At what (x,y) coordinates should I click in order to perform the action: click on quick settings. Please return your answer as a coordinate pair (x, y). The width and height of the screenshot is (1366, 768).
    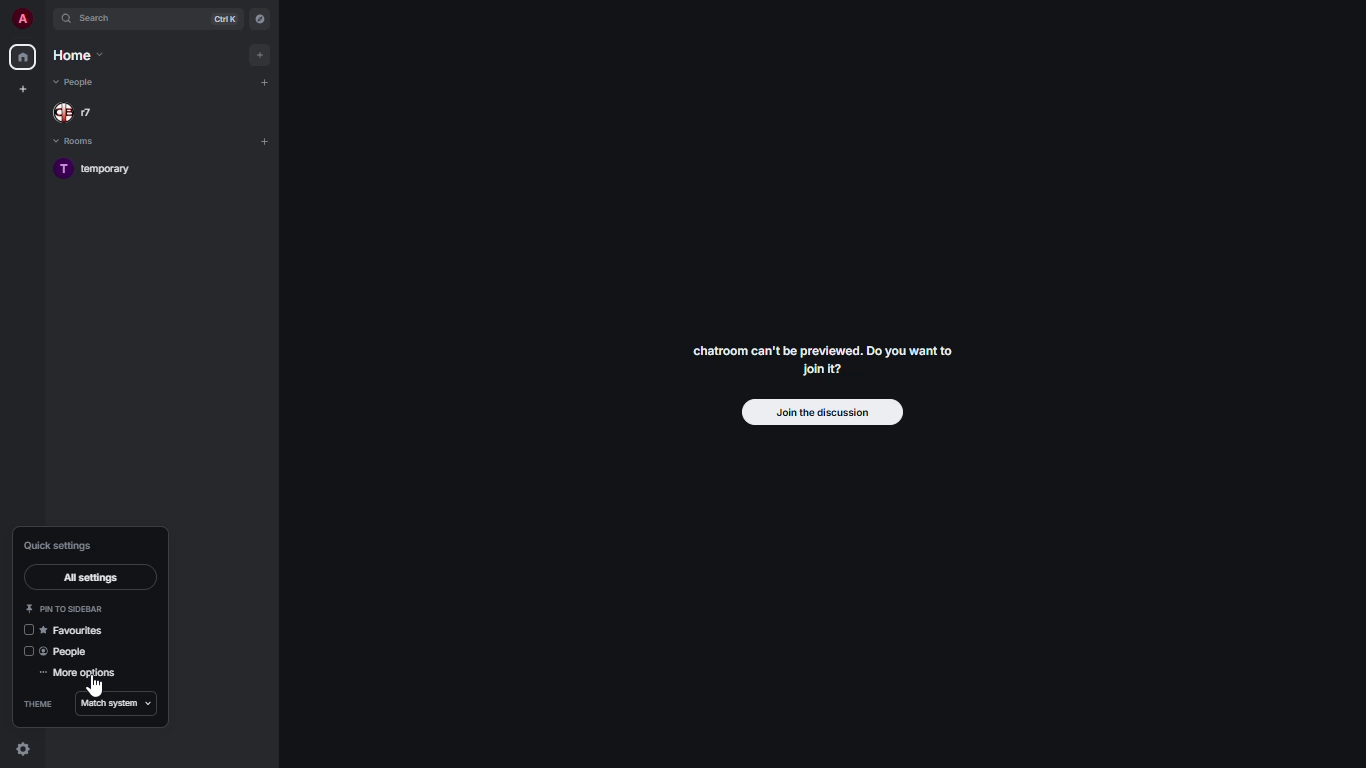
    Looking at the image, I should click on (23, 749).